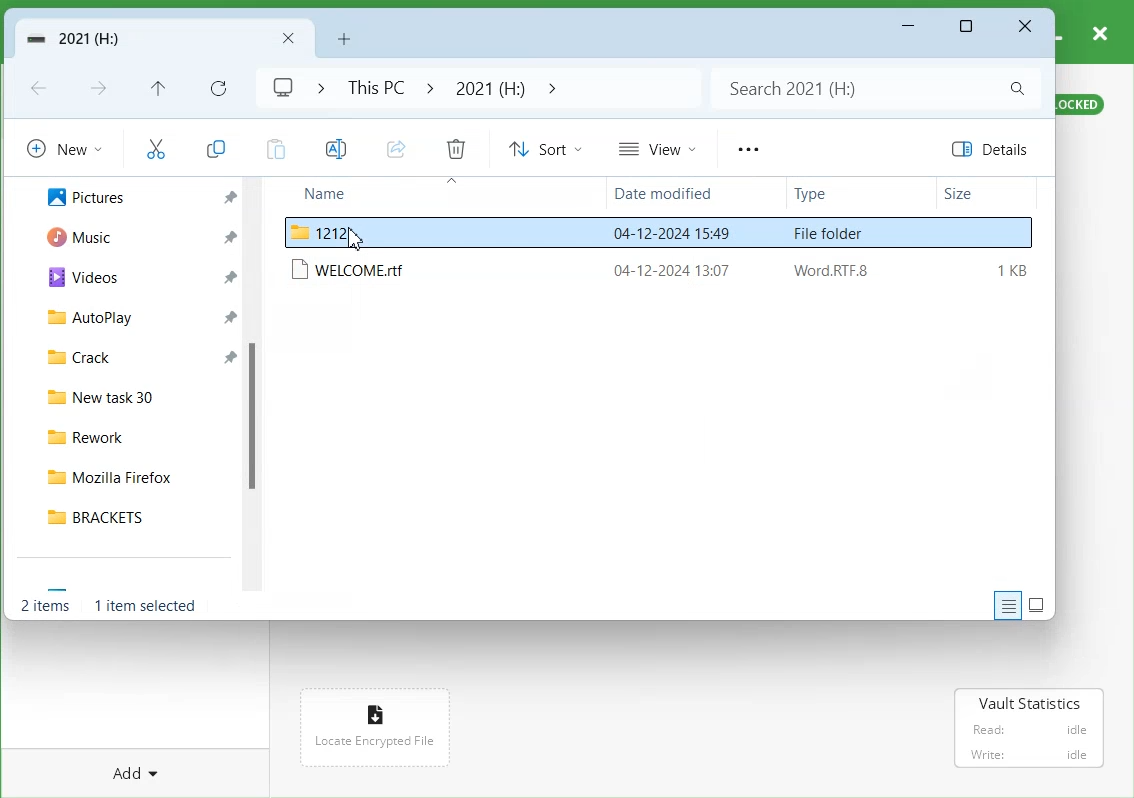 Image resolution: width=1134 pixels, height=798 pixels. I want to click on Pin a file, so click(229, 276).